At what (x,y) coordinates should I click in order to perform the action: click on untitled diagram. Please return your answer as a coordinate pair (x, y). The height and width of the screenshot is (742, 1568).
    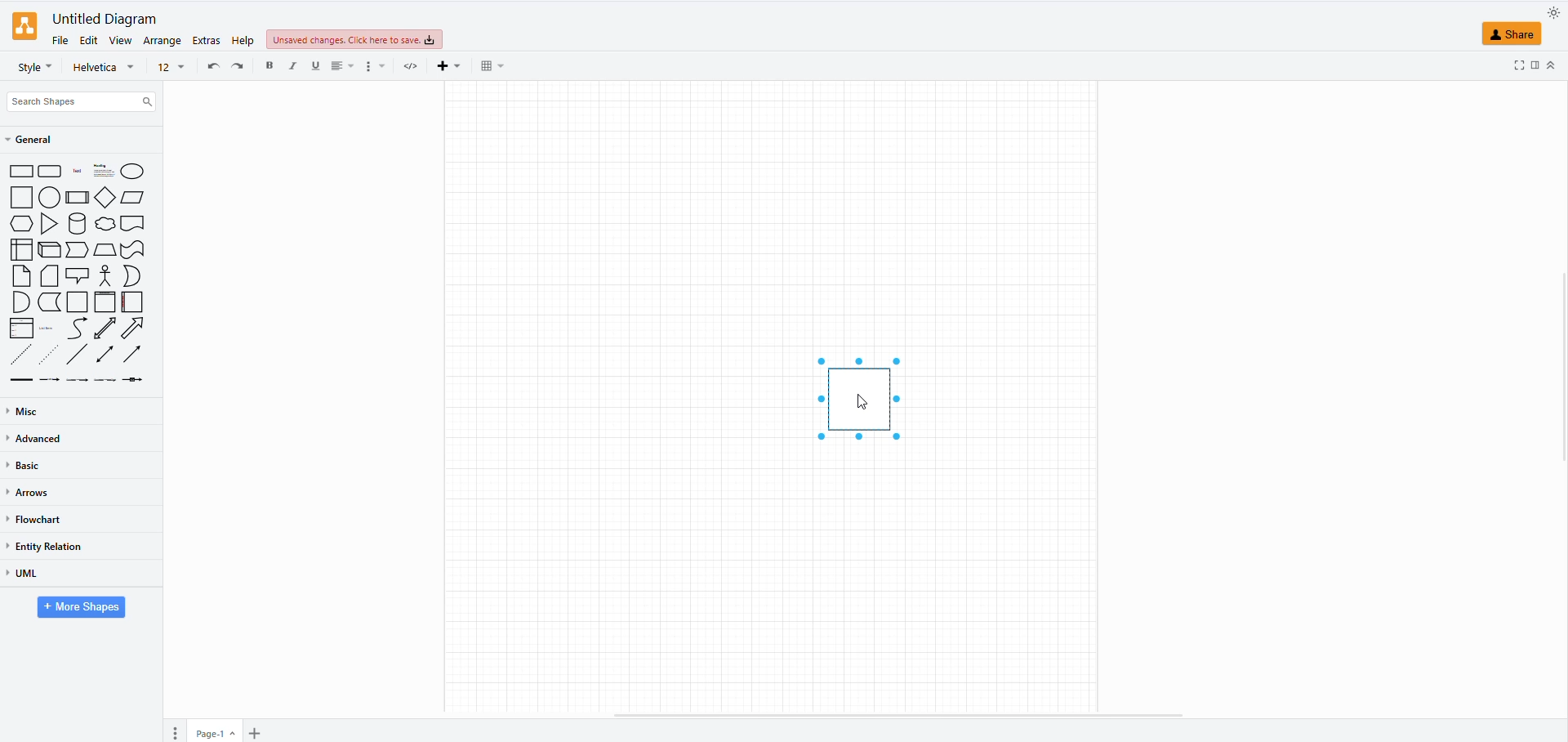
    Looking at the image, I should click on (103, 20).